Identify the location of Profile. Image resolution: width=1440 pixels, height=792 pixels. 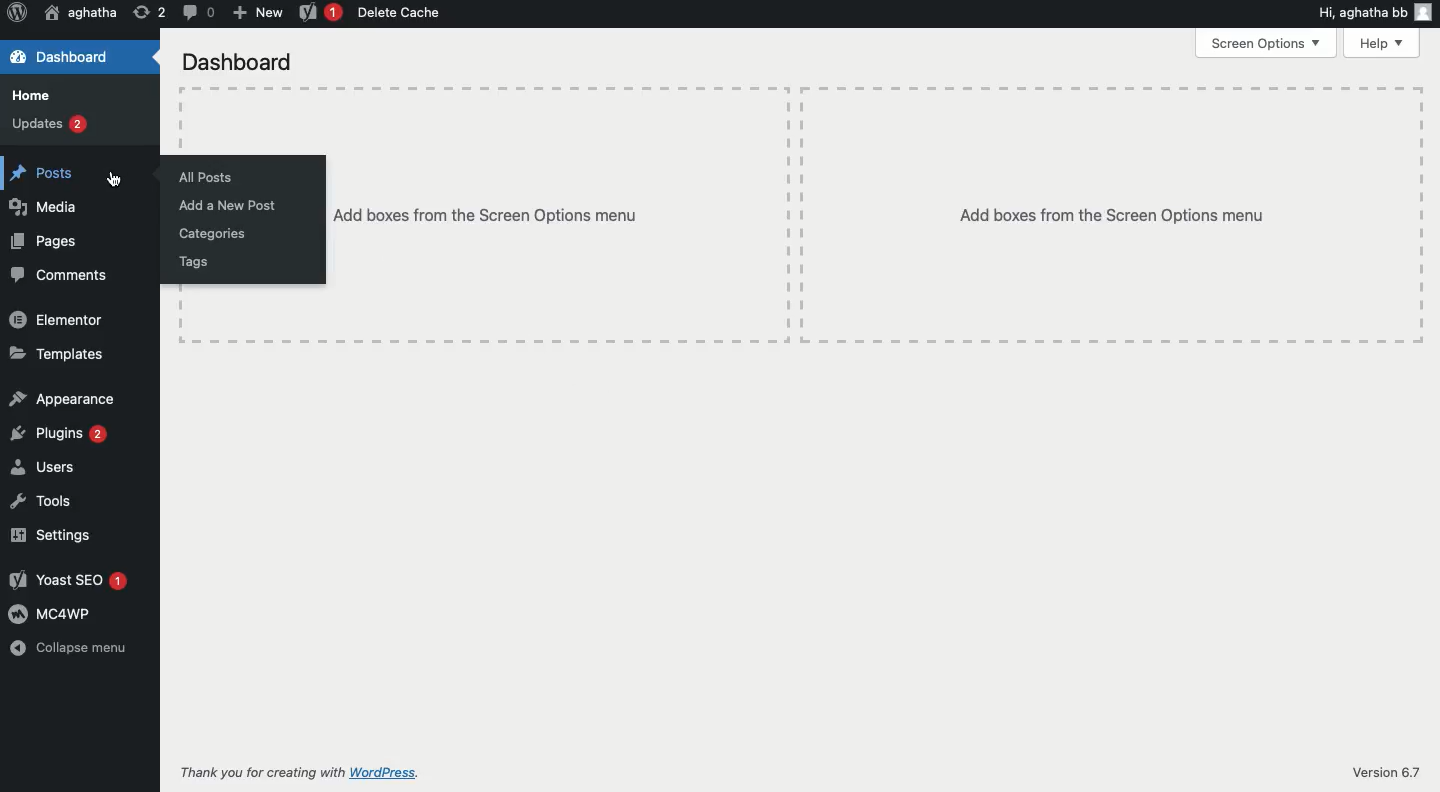
(1425, 14).